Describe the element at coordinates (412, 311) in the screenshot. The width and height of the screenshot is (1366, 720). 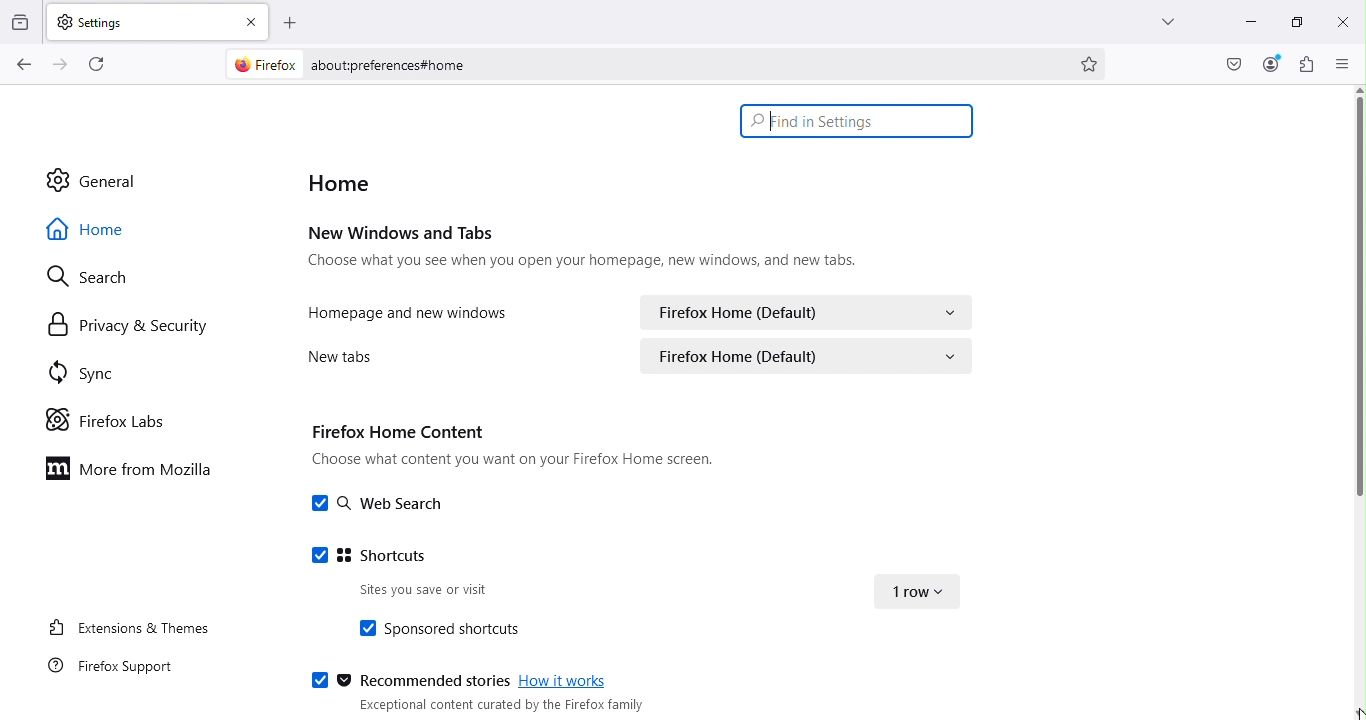
I see `Homepage and new windows` at that location.